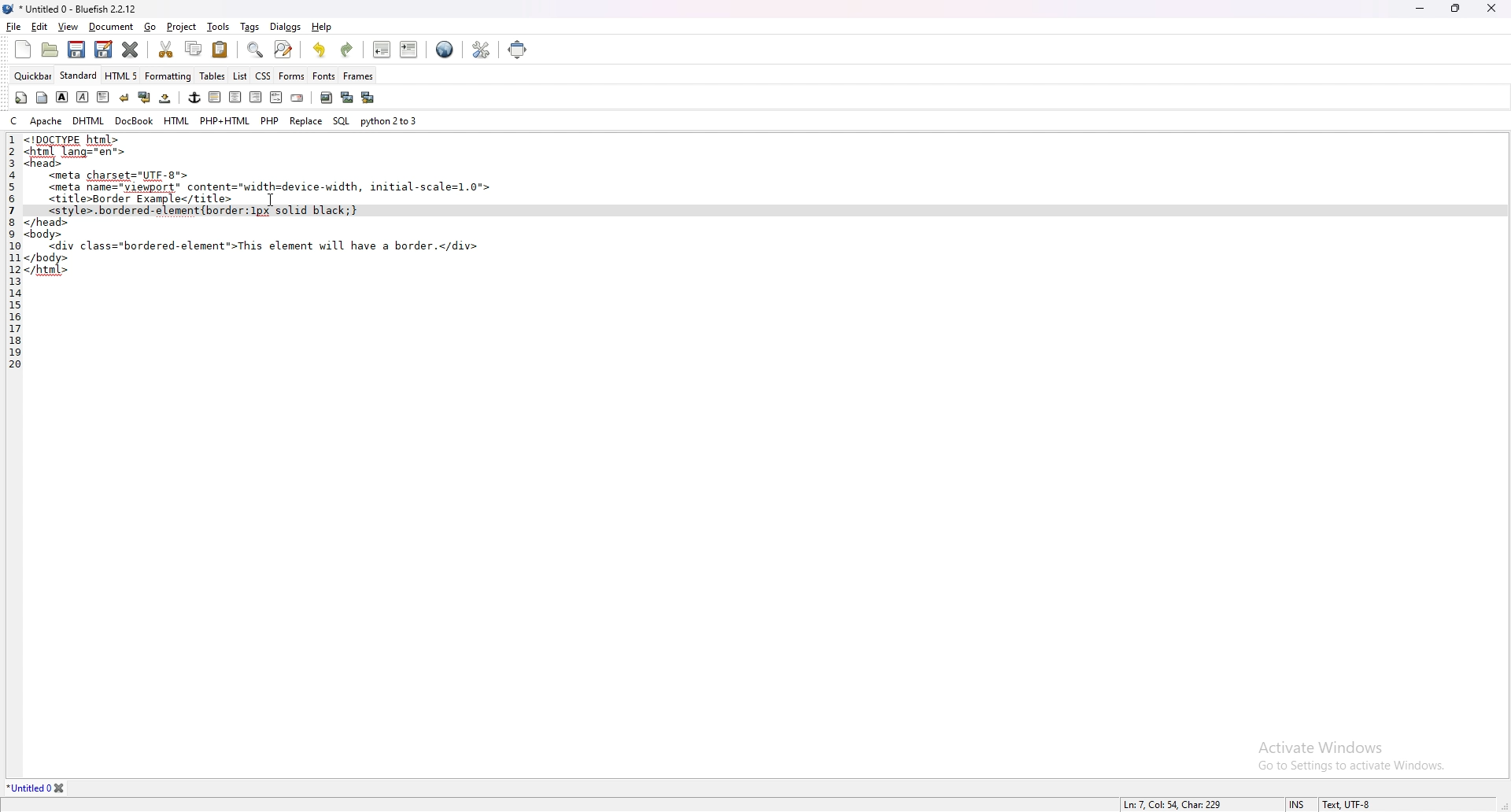 This screenshot has height=812, width=1511. What do you see at coordinates (225, 120) in the screenshot?
I see `php+html` at bounding box center [225, 120].